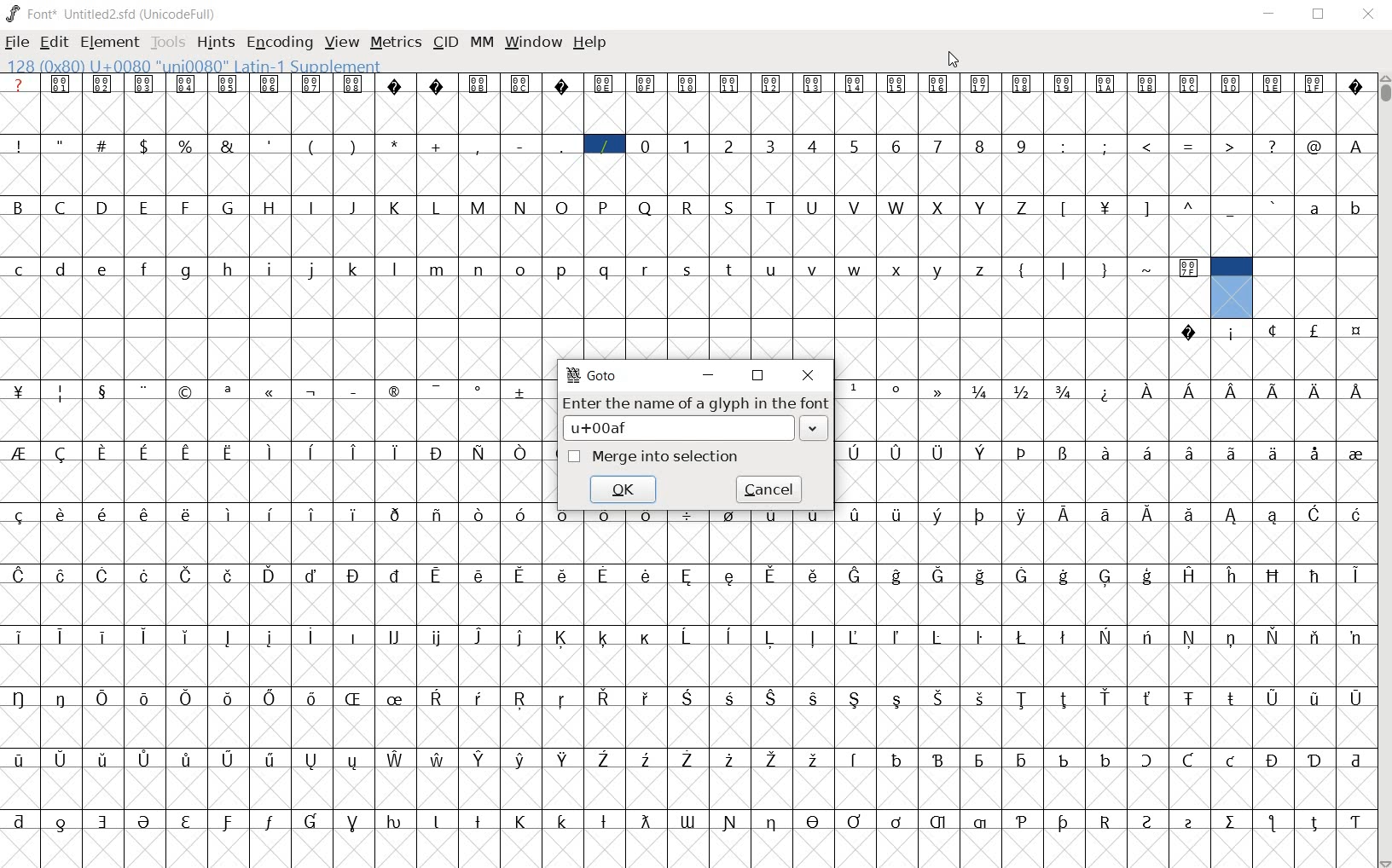  Describe the element at coordinates (441, 697) in the screenshot. I see `Symbol` at that location.